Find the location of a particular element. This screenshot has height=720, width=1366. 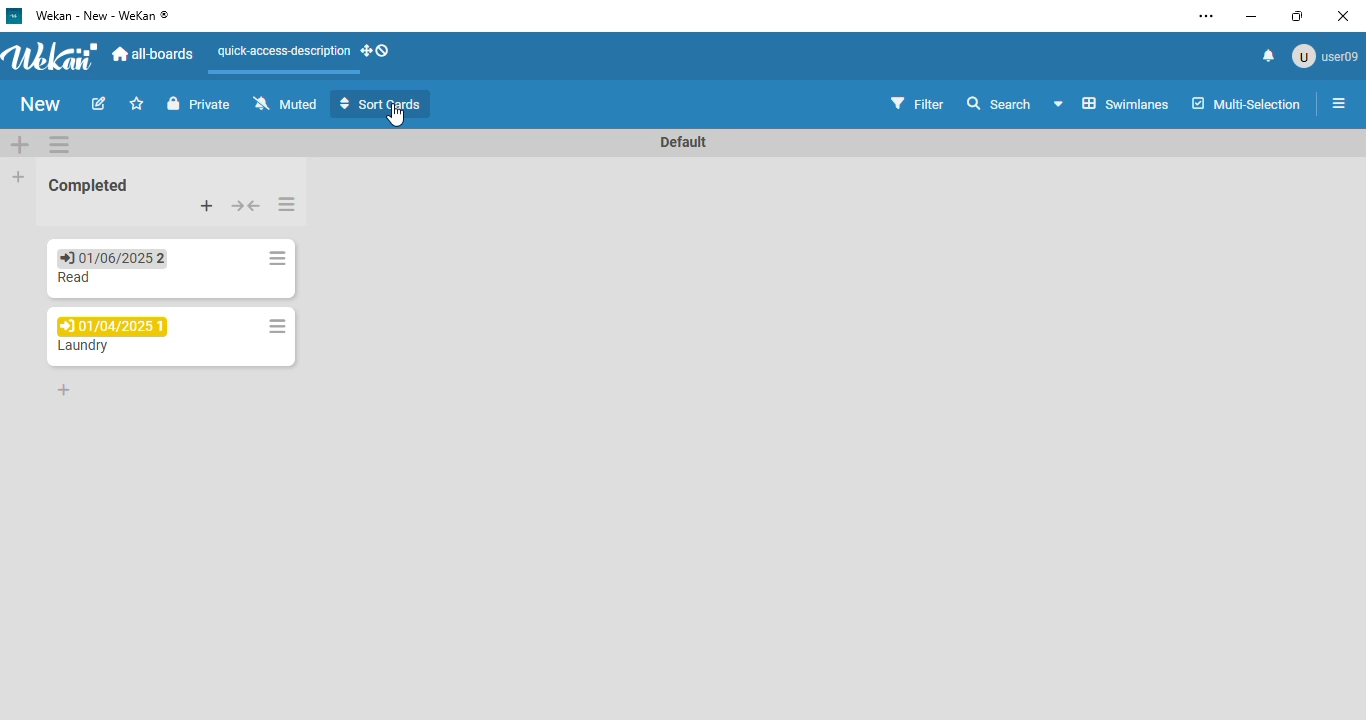

maximize is located at coordinates (1298, 16).